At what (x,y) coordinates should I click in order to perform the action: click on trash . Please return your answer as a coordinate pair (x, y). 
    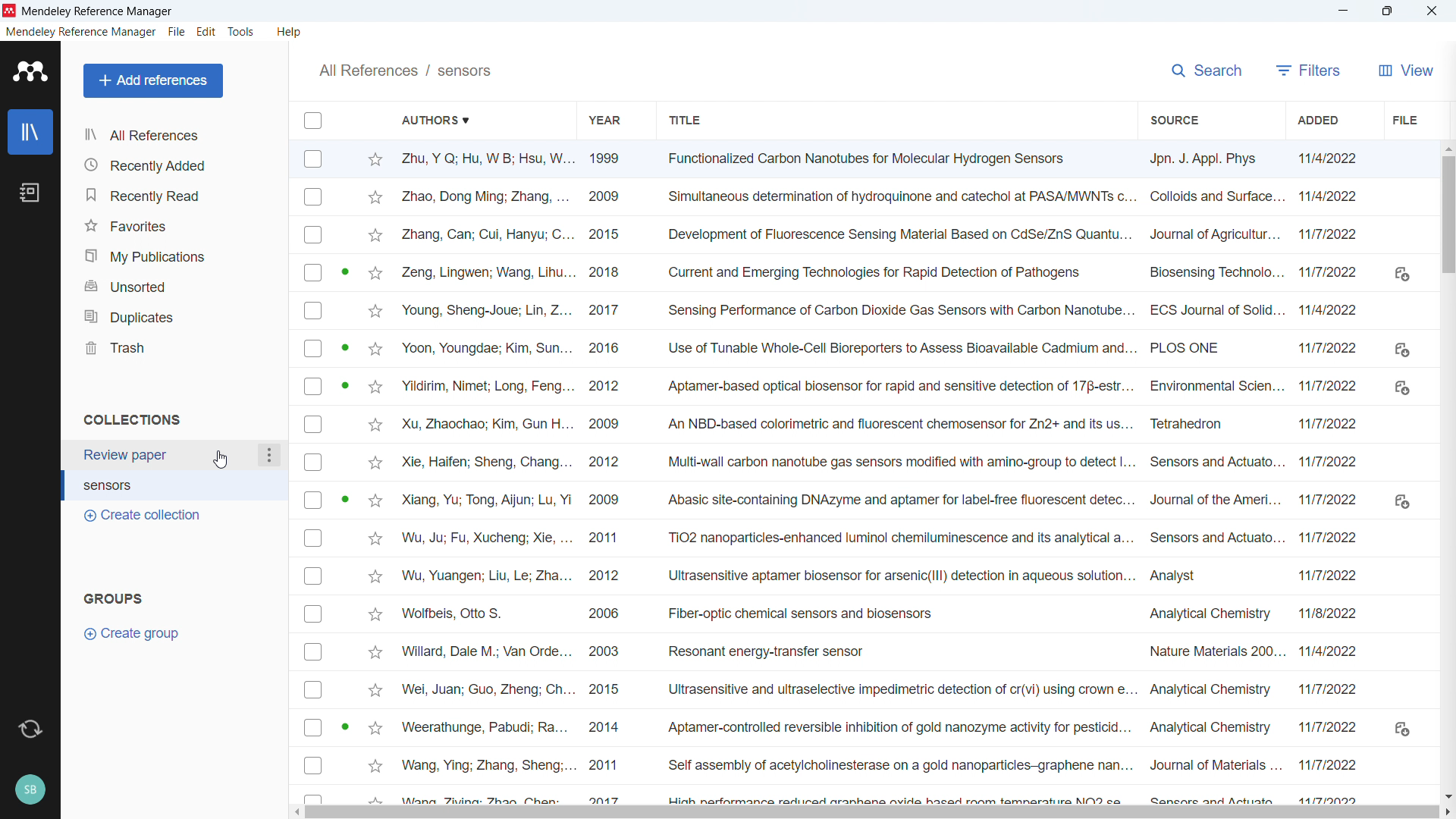
    Looking at the image, I should click on (177, 348).